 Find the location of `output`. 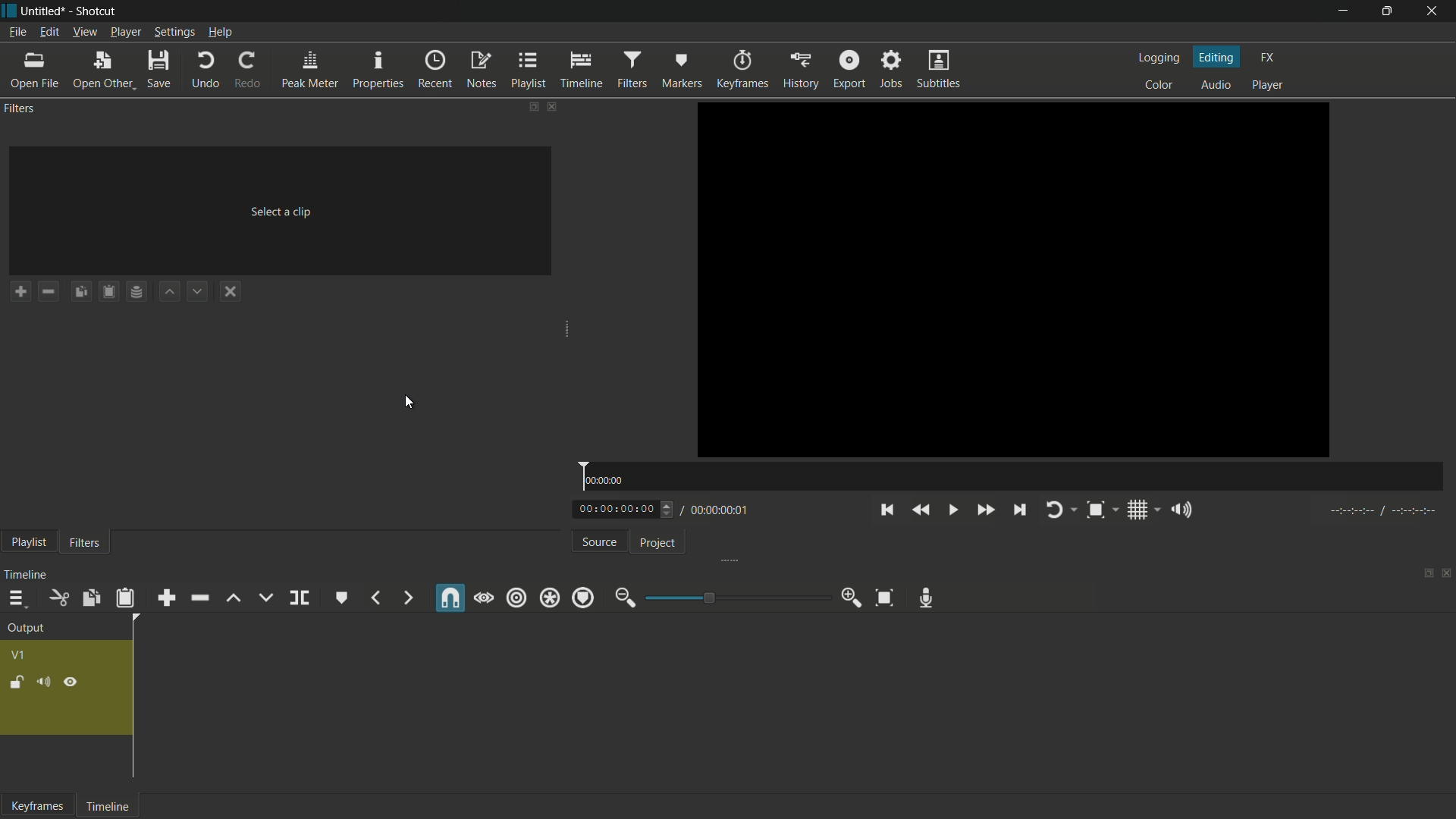

output is located at coordinates (24, 629).